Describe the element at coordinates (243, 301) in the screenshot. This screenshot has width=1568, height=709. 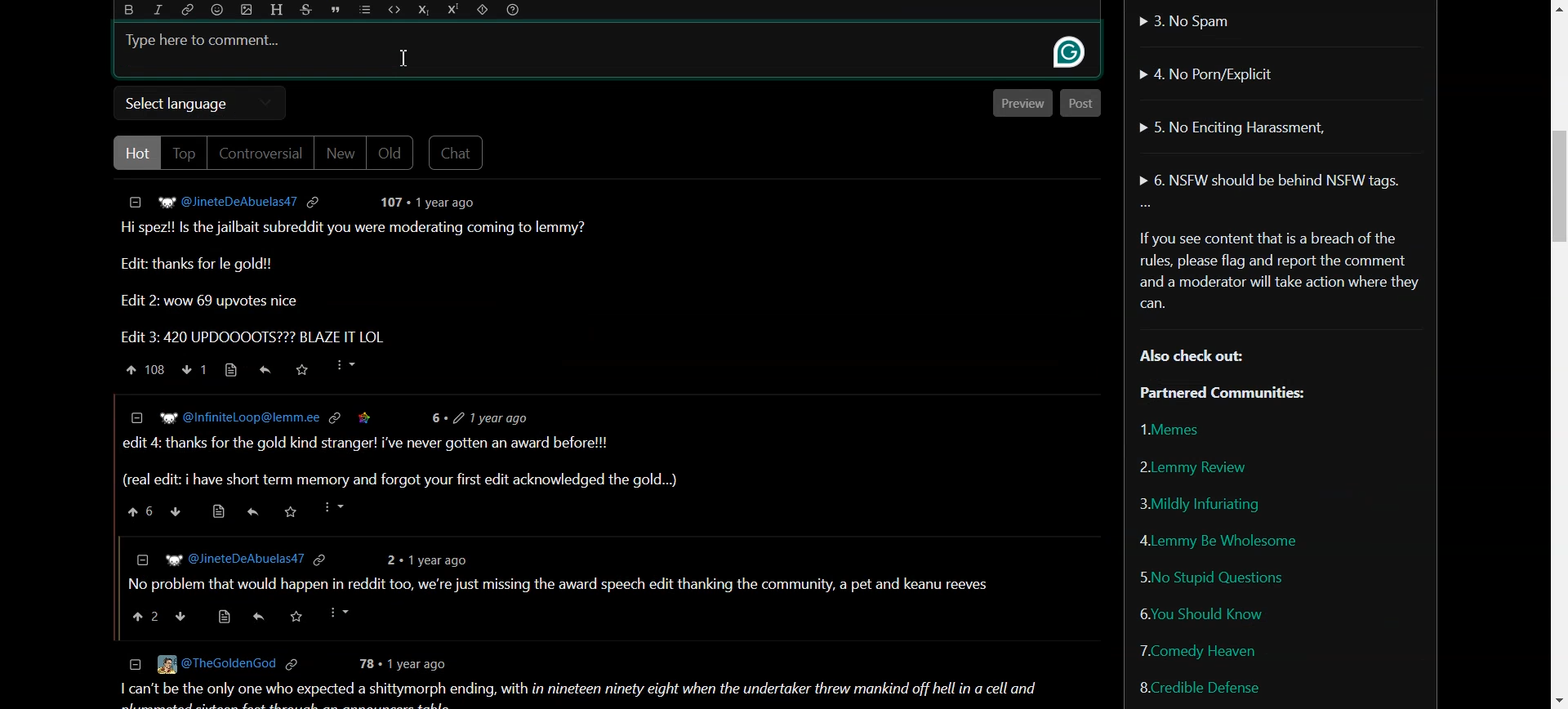
I see `Edit 2: wow 69 upvotes nice` at that location.